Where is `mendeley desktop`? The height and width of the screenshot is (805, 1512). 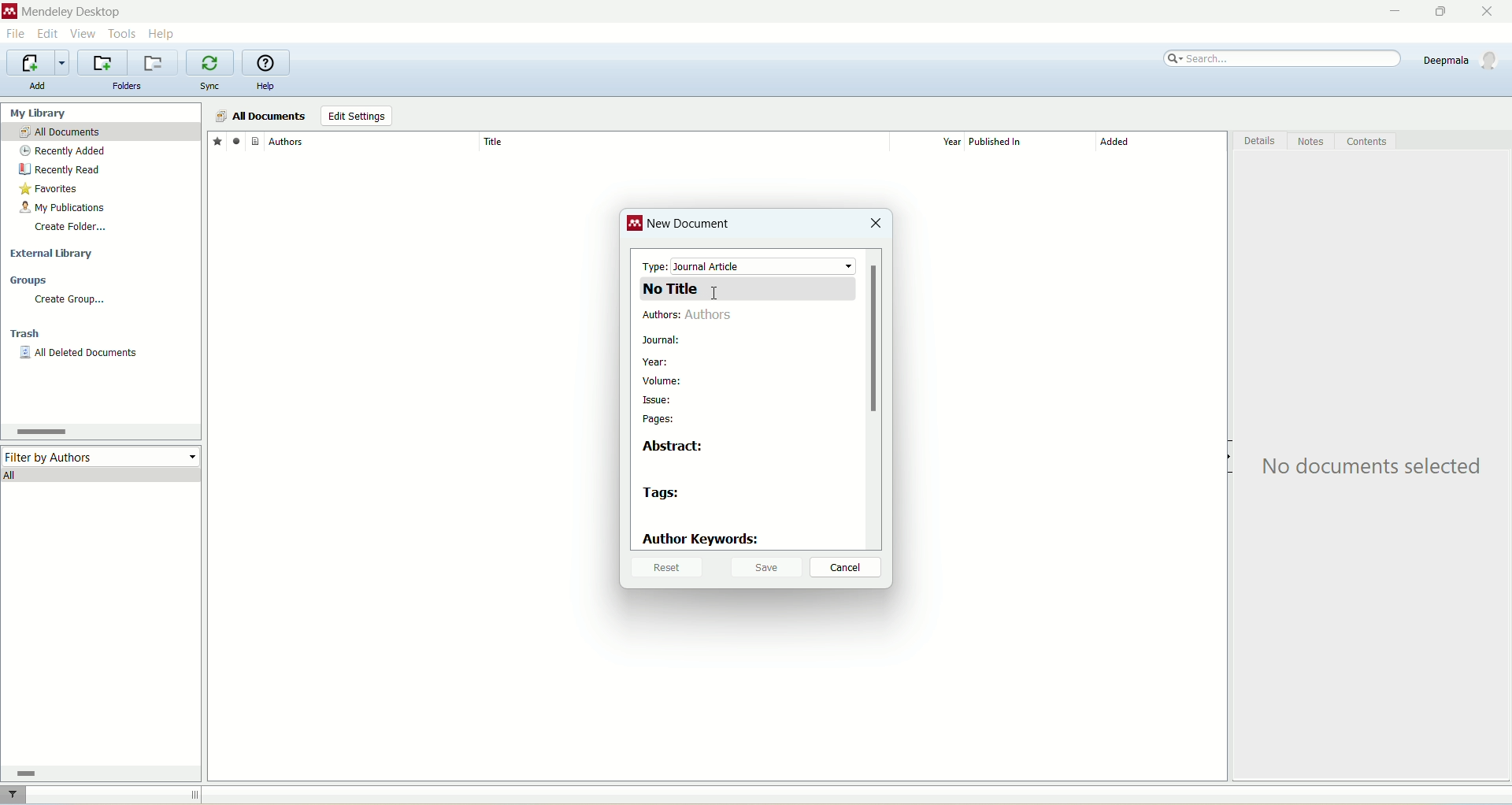 mendeley desktop is located at coordinates (69, 13).